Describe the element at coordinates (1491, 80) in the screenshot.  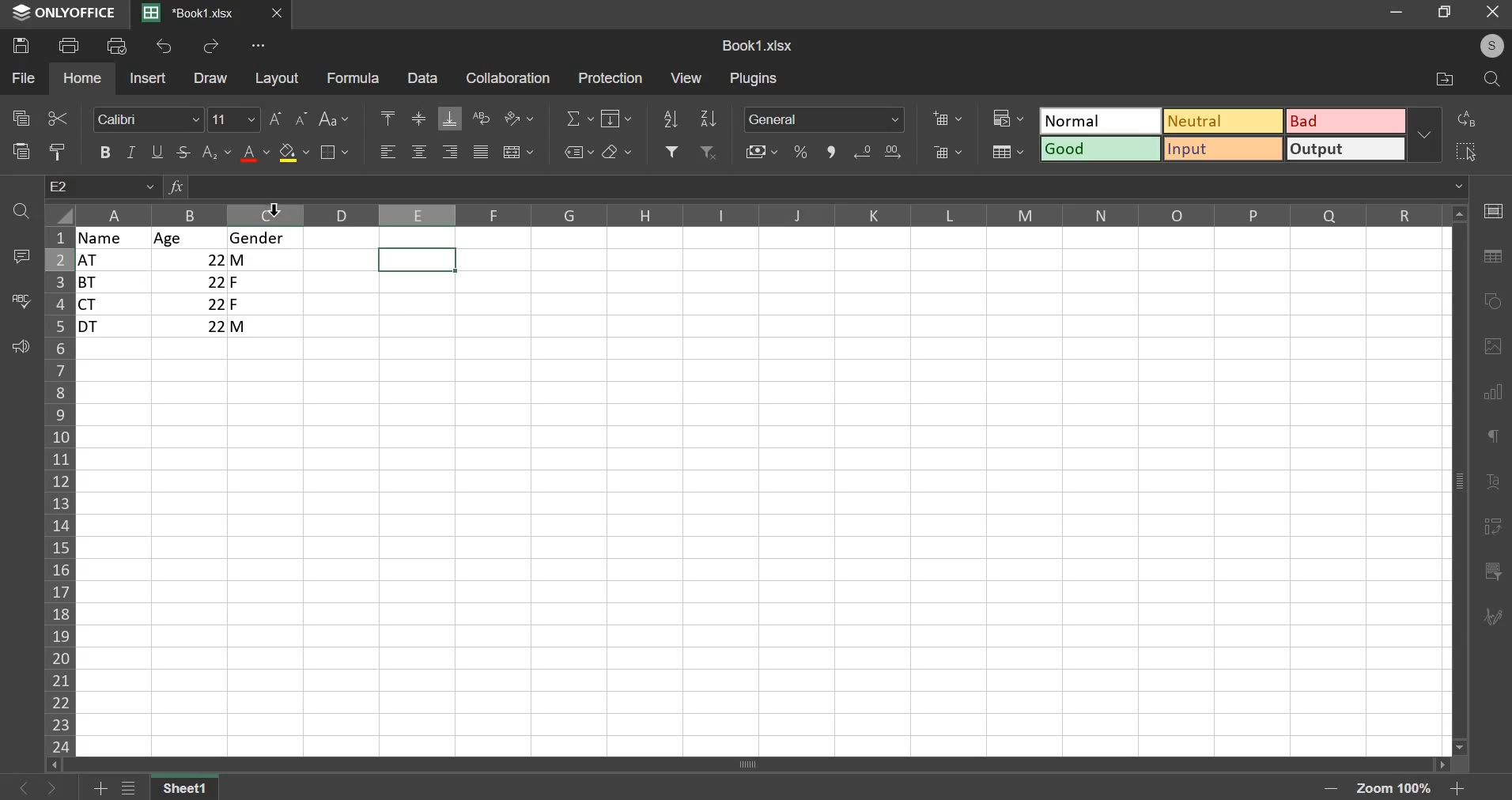
I see `find` at that location.